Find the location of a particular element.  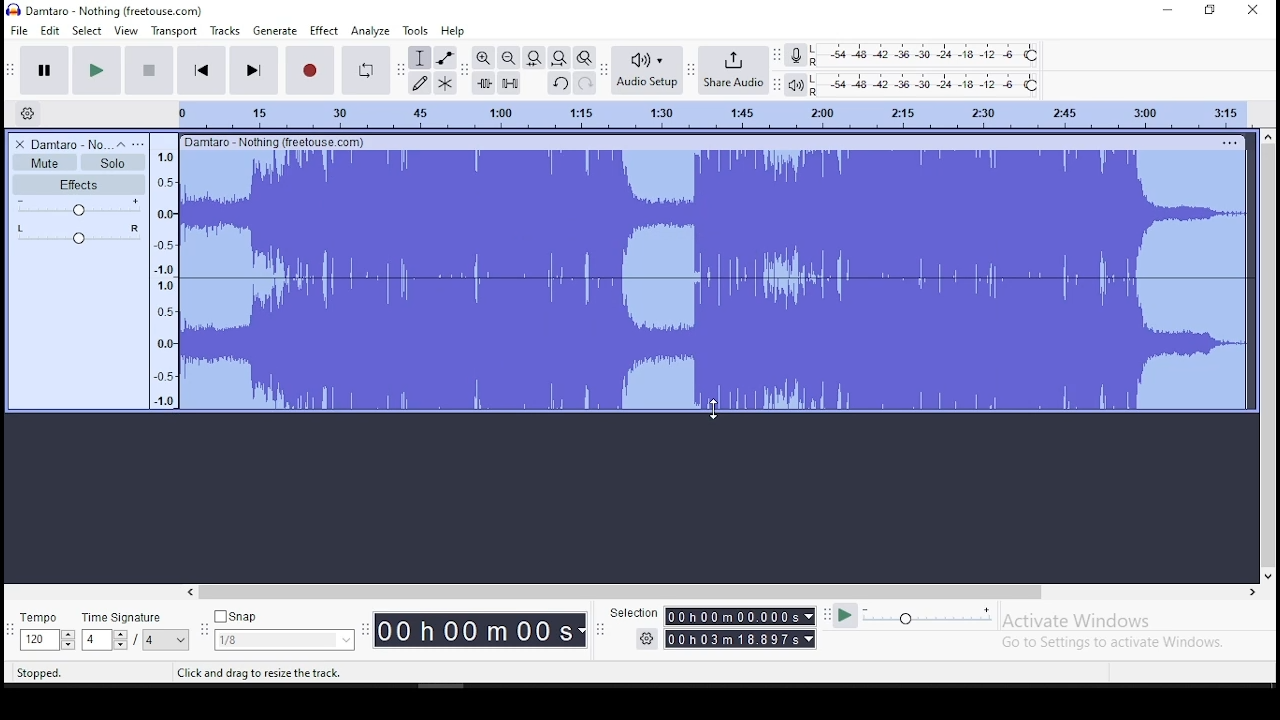

skip to end is located at coordinates (252, 70).